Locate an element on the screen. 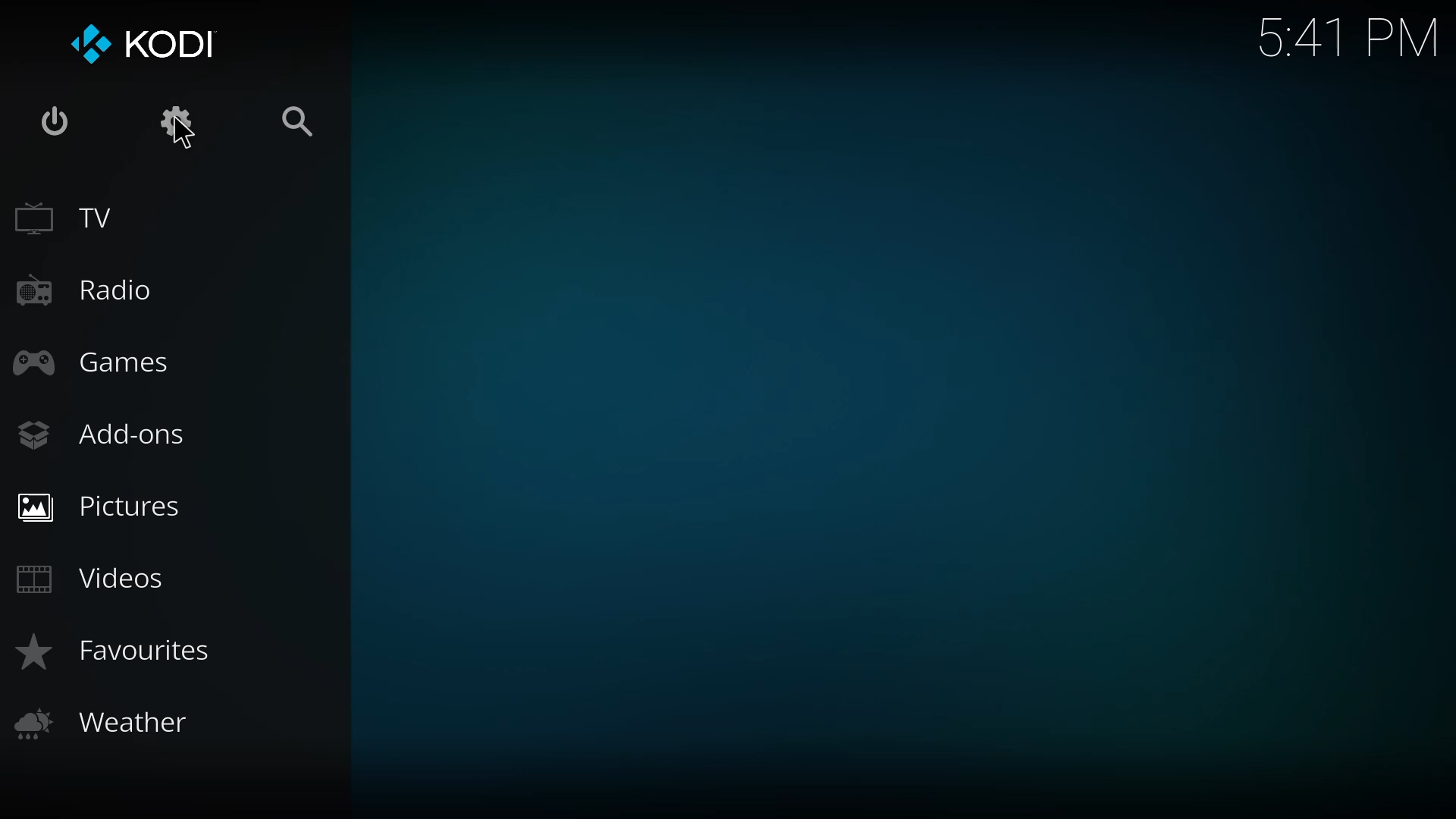 The width and height of the screenshot is (1456, 819). favorites is located at coordinates (118, 654).